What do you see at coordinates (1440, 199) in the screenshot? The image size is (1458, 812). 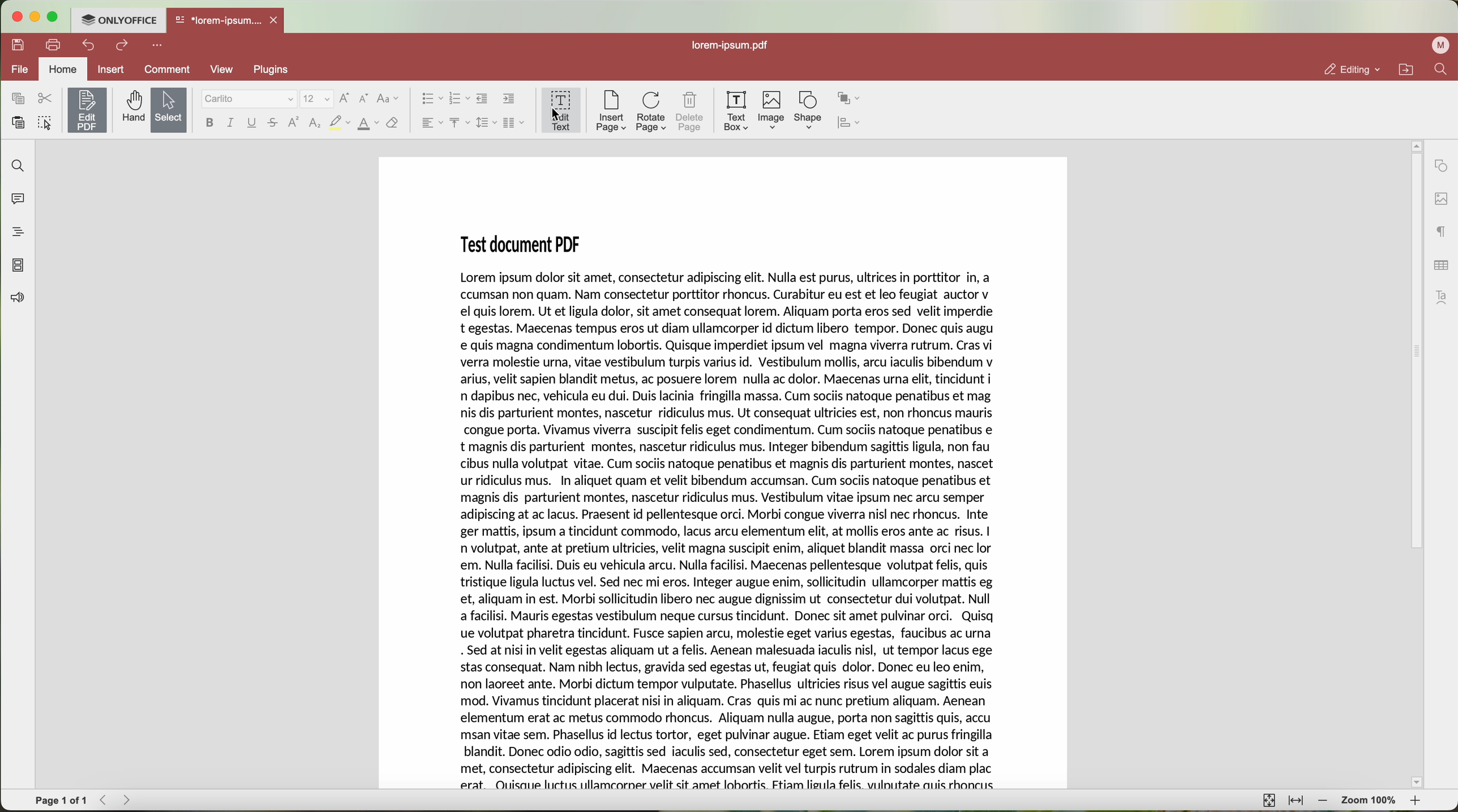 I see `image settings` at bounding box center [1440, 199].